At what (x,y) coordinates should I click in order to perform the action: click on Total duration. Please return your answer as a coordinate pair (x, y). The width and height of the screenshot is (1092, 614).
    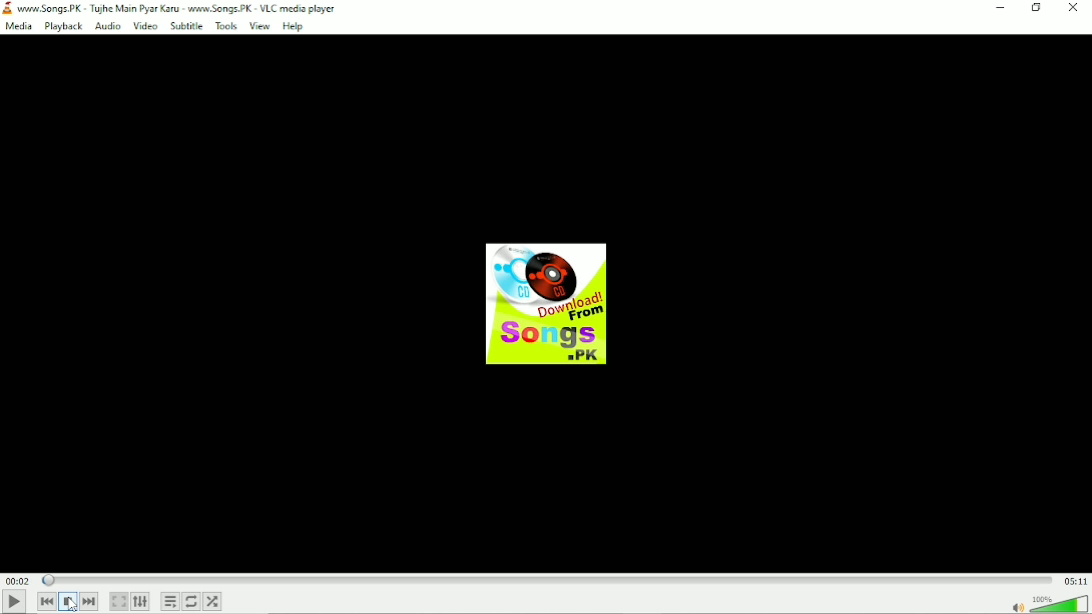
    Looking at the image, I should click on (1076, 581).